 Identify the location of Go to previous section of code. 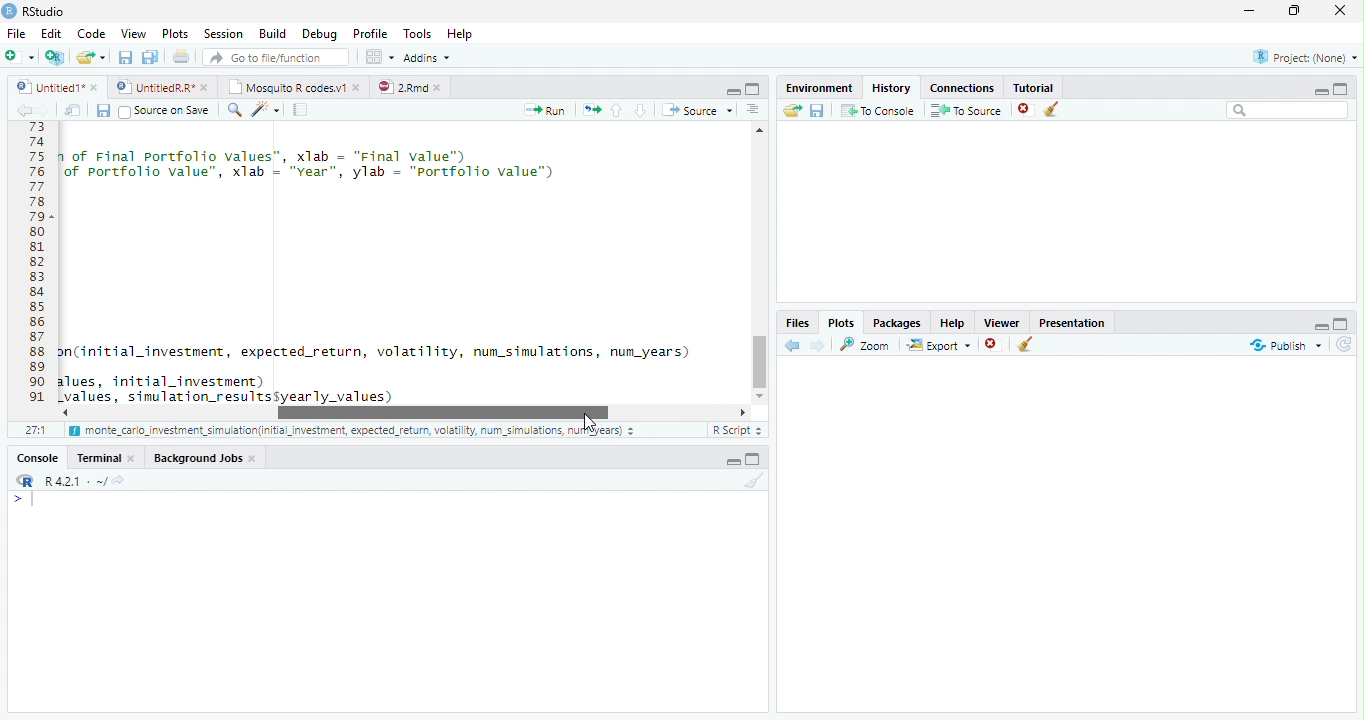
(617, 112).